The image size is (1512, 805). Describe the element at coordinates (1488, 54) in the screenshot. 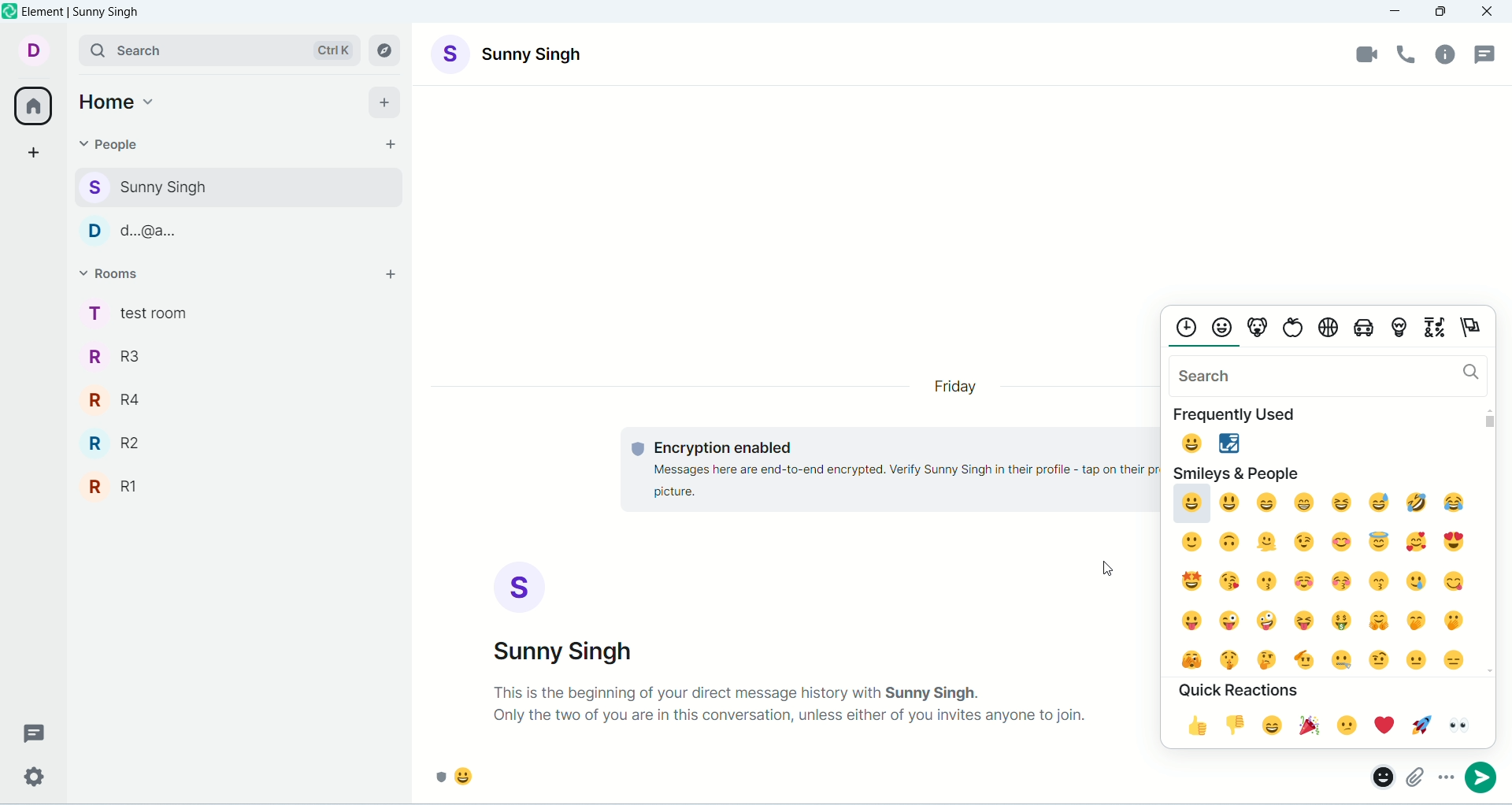

I see `threads` at that location.